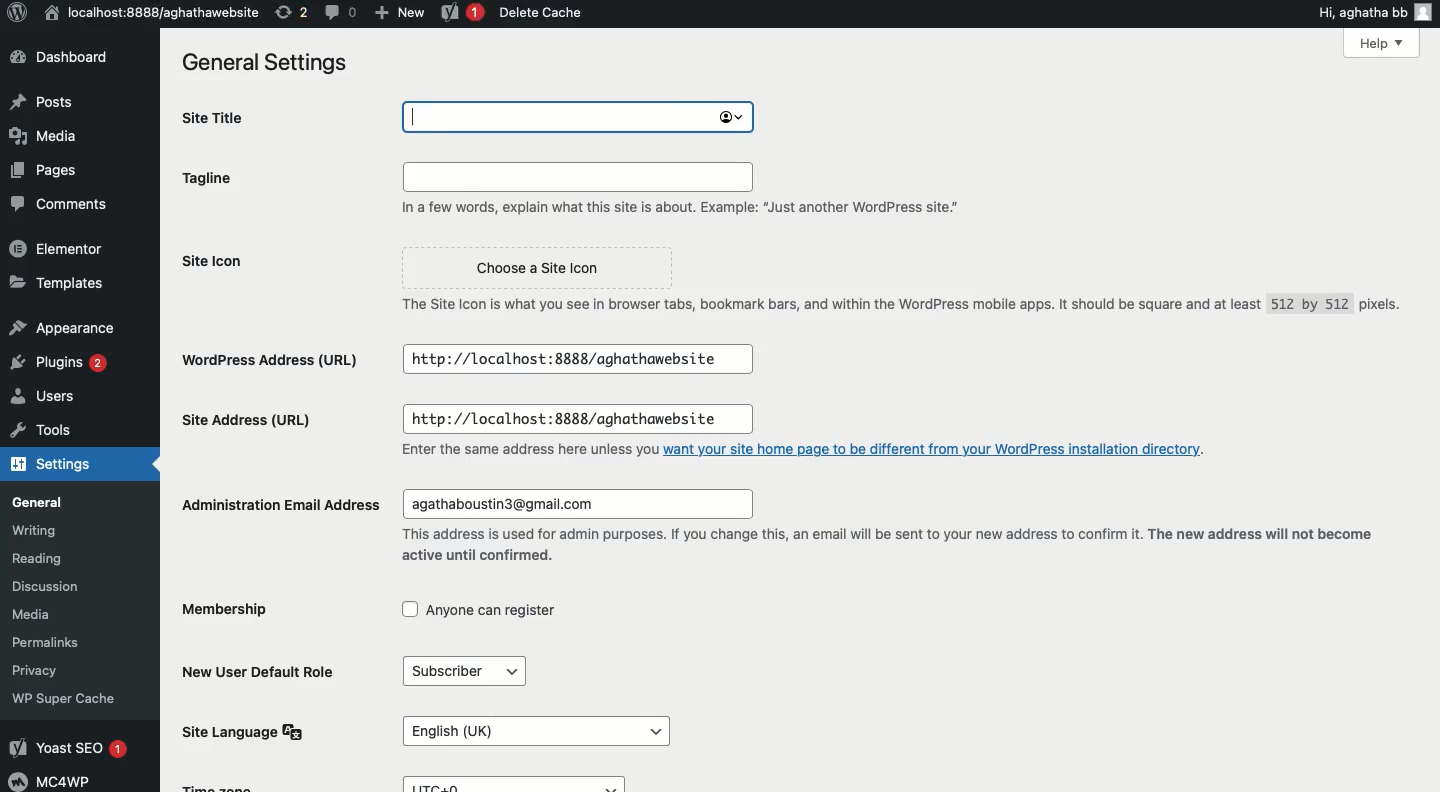  Describe the element at coordinates (674, 207) in the screenshot. I see `In a few words, explain what this site is about. Example: “Just another WordPress site."` at that location.